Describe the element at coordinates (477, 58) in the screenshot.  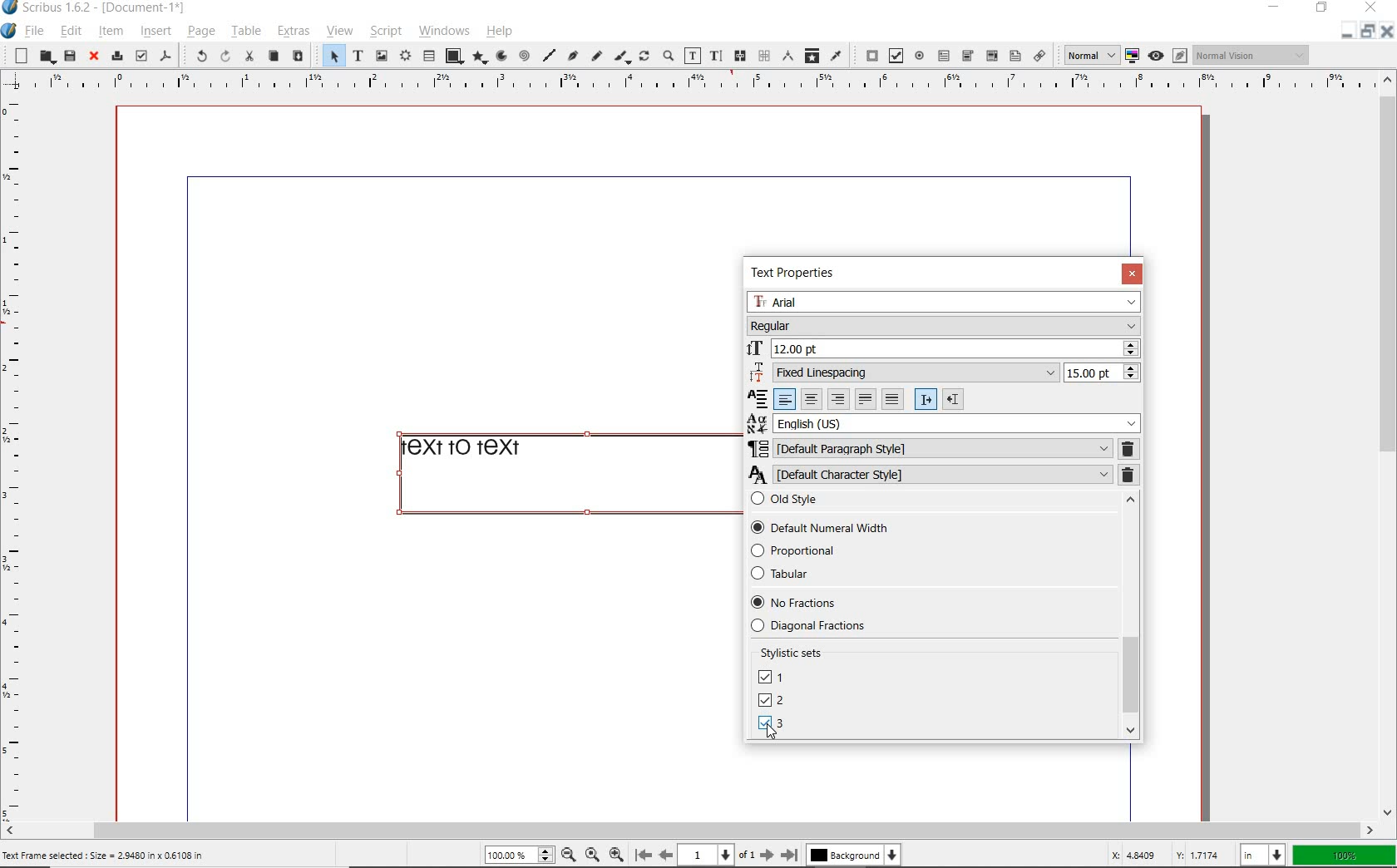
I see `polygon` at that location.